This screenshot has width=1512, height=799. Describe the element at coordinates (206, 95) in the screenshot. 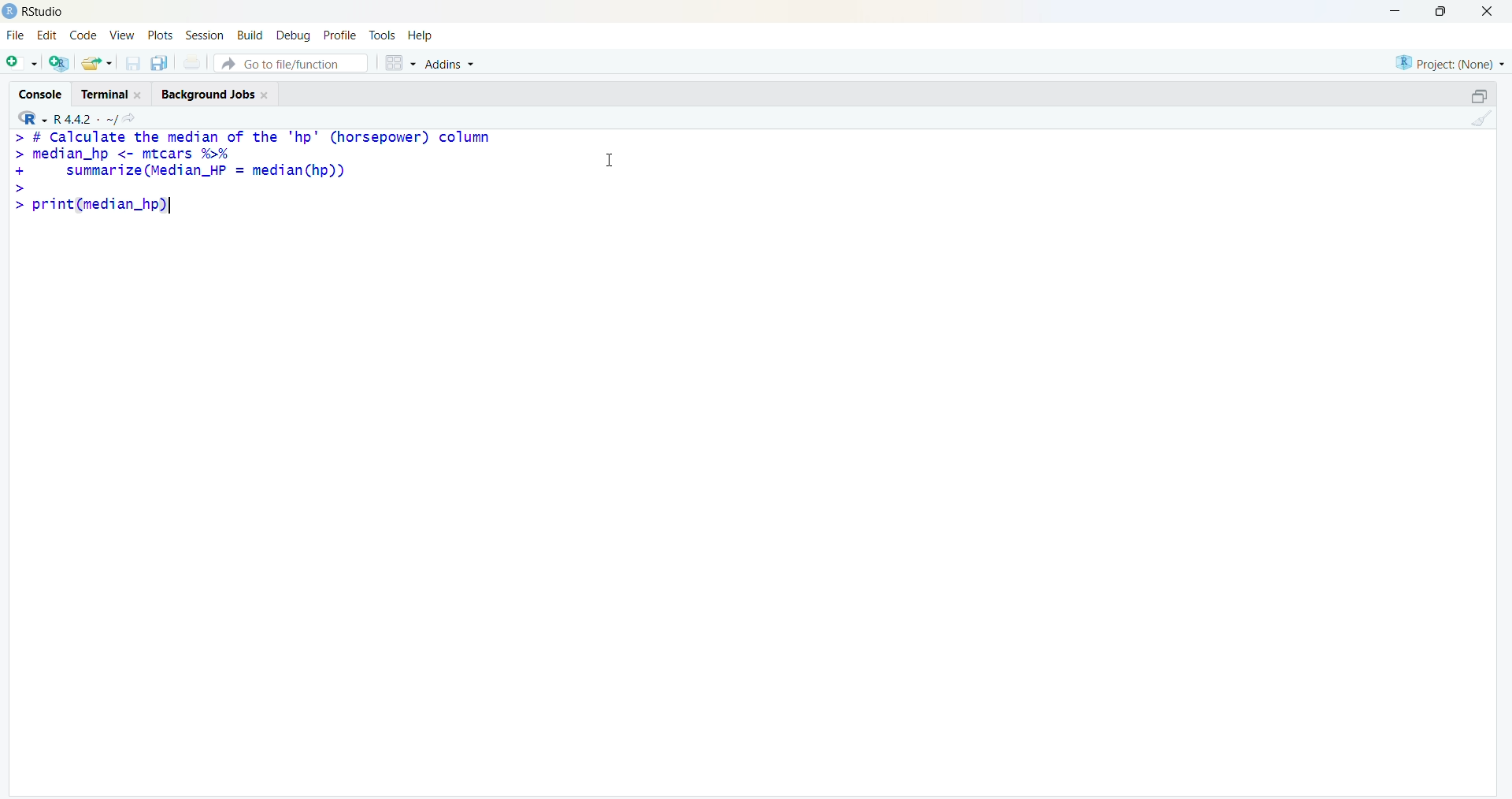

I see `Background jobs` at that location.